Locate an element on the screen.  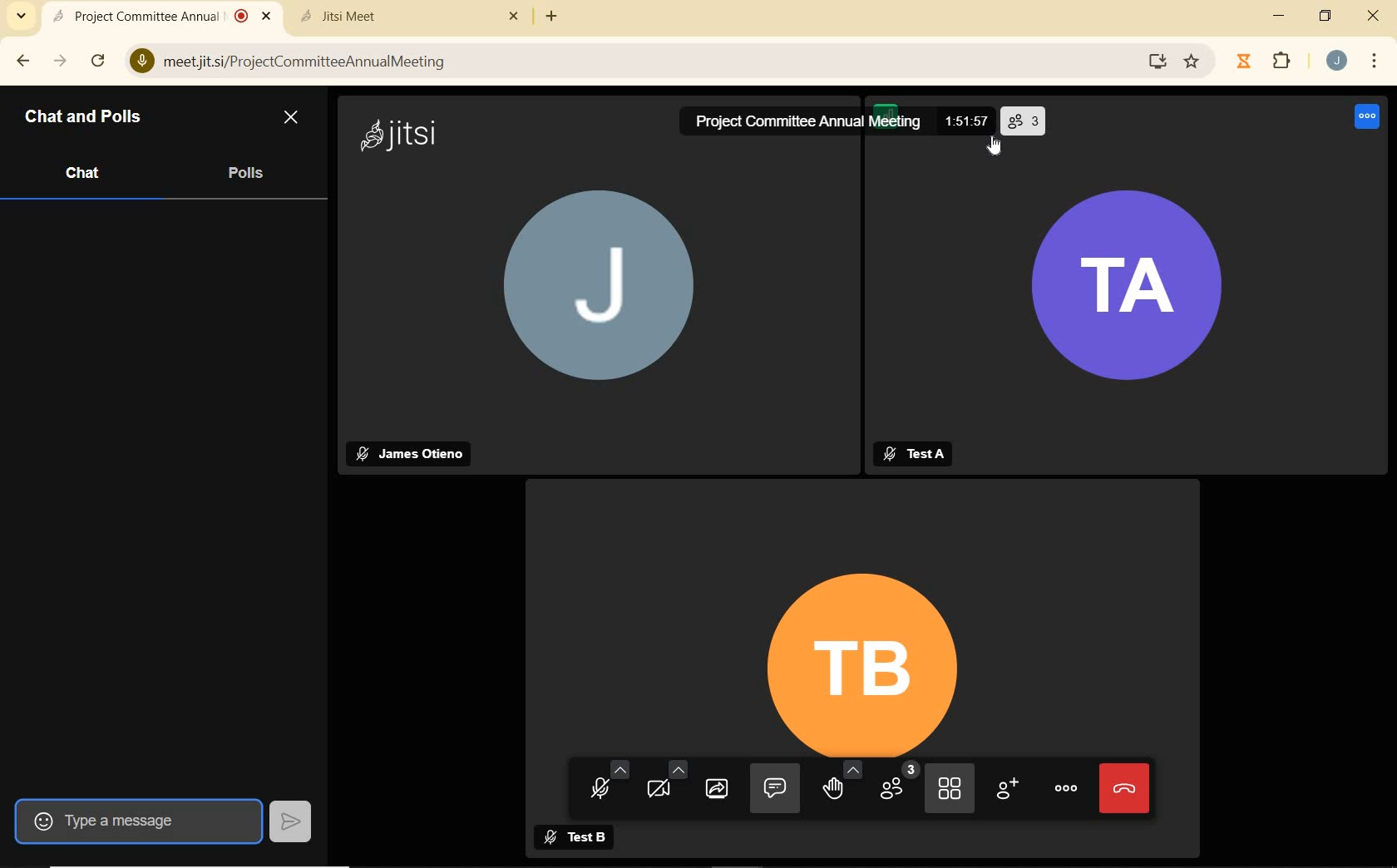
camera is located at coordinates (665, 784).